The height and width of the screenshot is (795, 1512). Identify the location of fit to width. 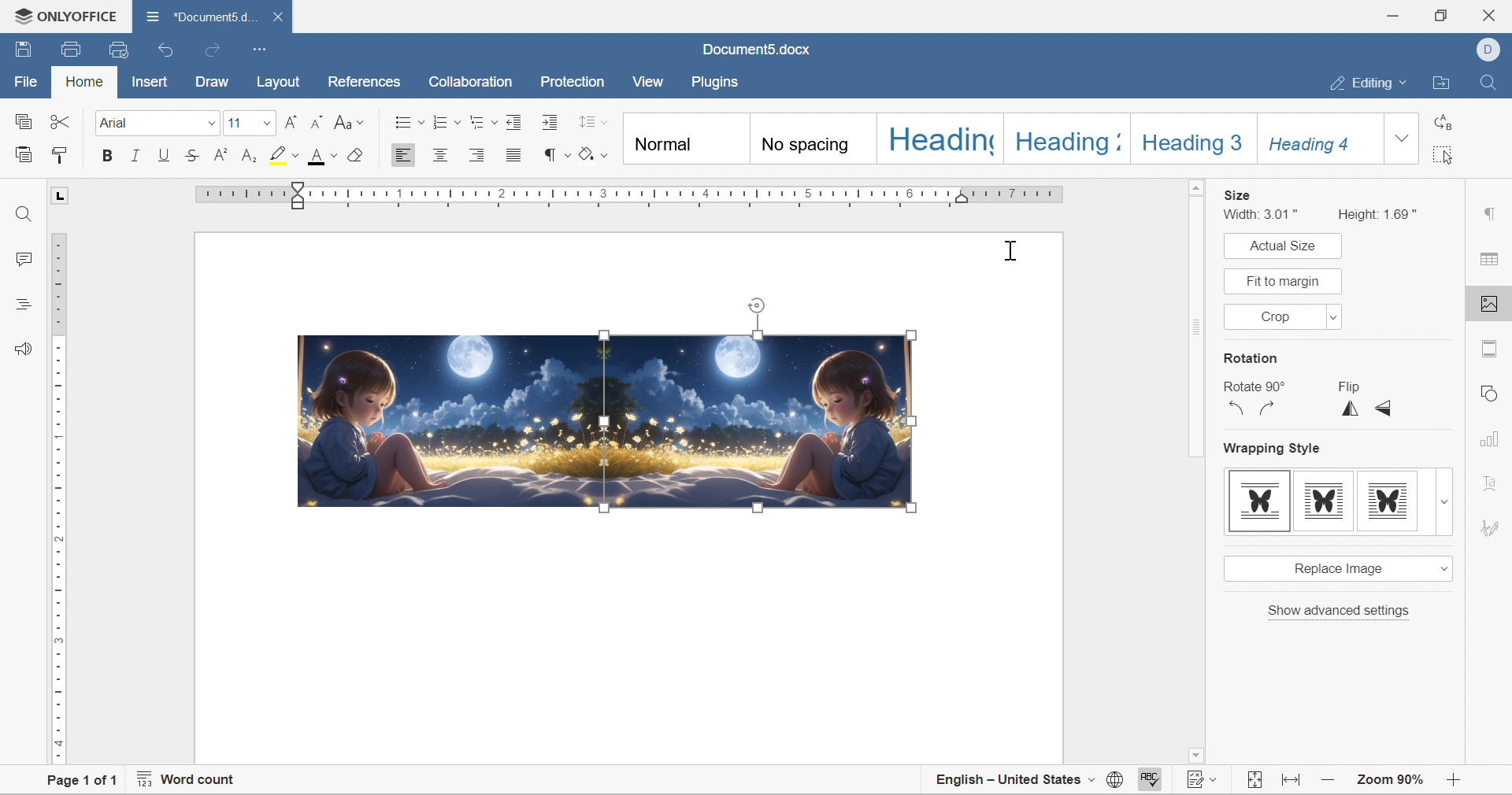
(1293, 780).